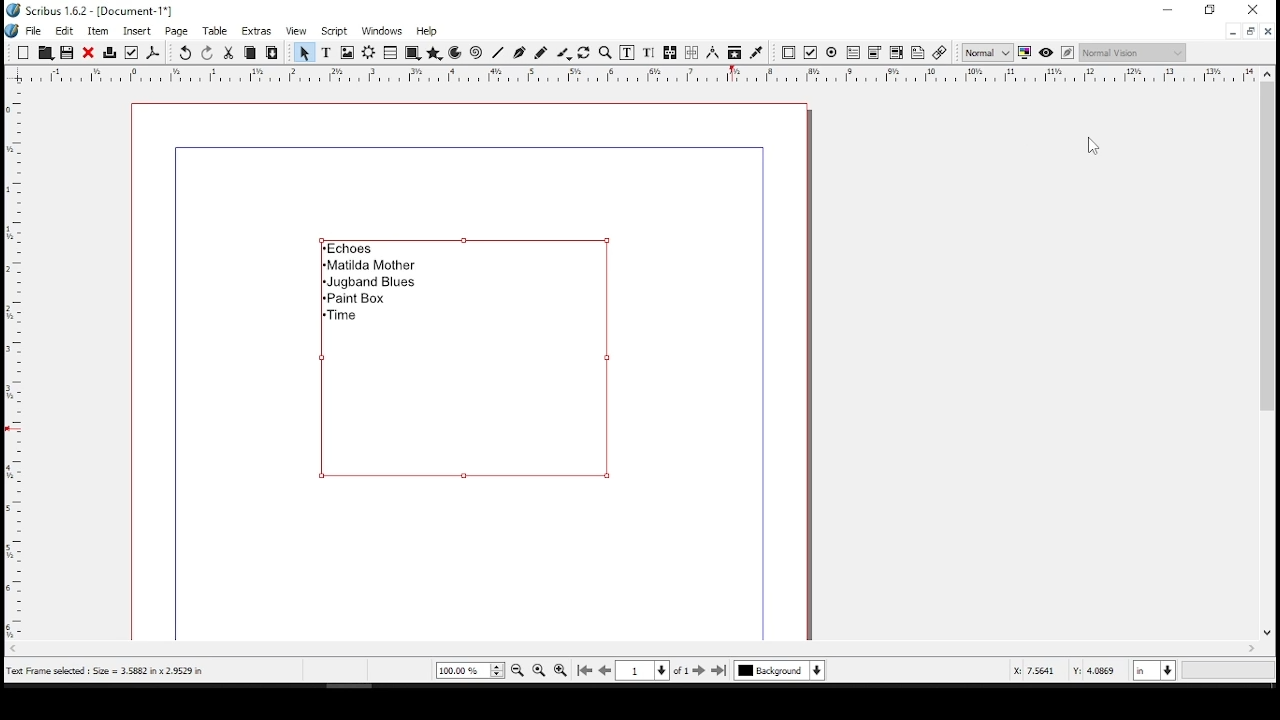  Describe the element at coordinates (896, 54) in the screenshot. I see `pdf list box` at that location.